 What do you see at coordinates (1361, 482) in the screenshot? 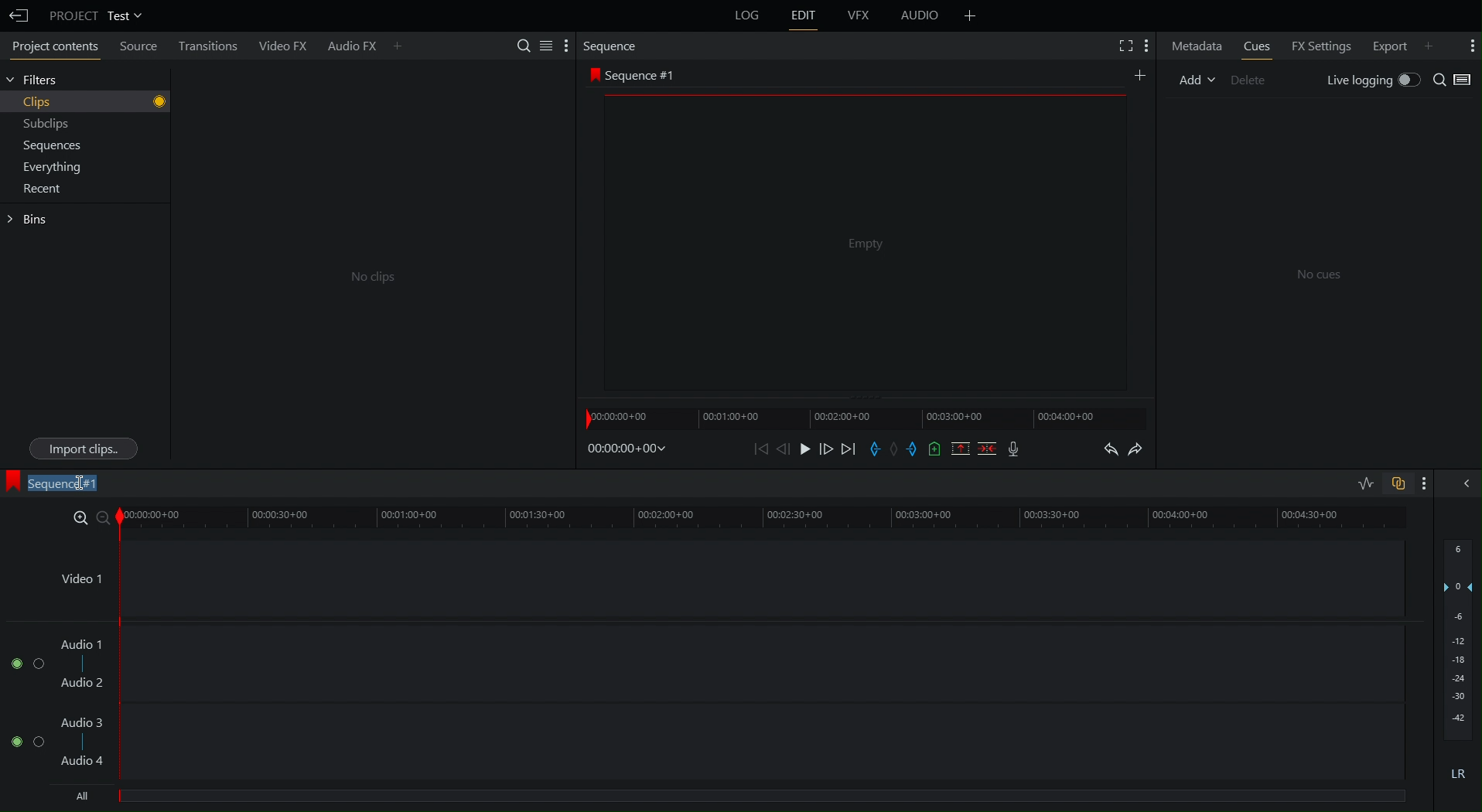
I see `Toggle audio levels editing` at bounding box center [1361, 482].